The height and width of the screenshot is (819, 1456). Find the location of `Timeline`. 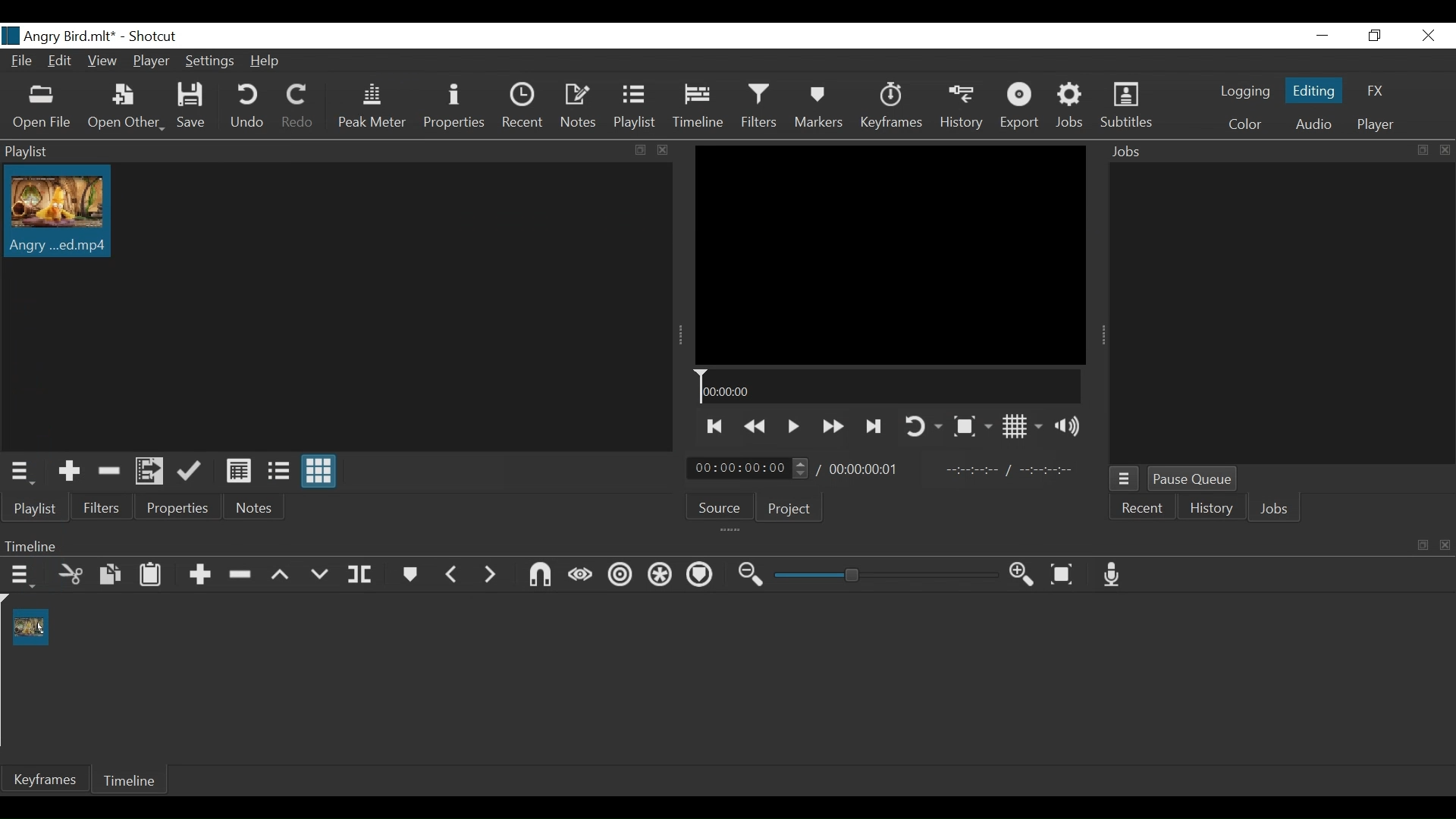

Timeline is located at coordinates (698, 106).